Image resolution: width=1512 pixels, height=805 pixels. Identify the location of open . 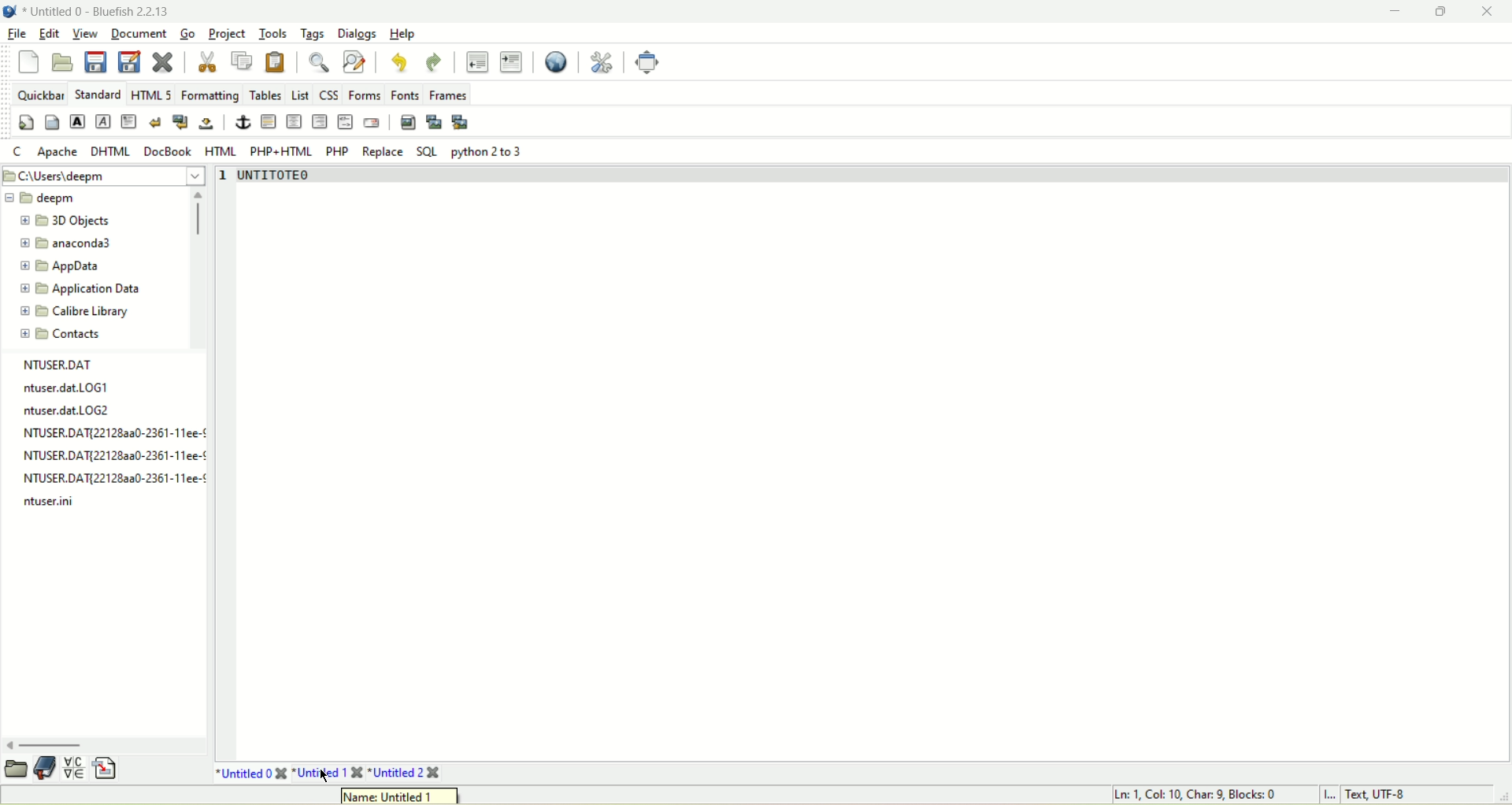
(16, 770).